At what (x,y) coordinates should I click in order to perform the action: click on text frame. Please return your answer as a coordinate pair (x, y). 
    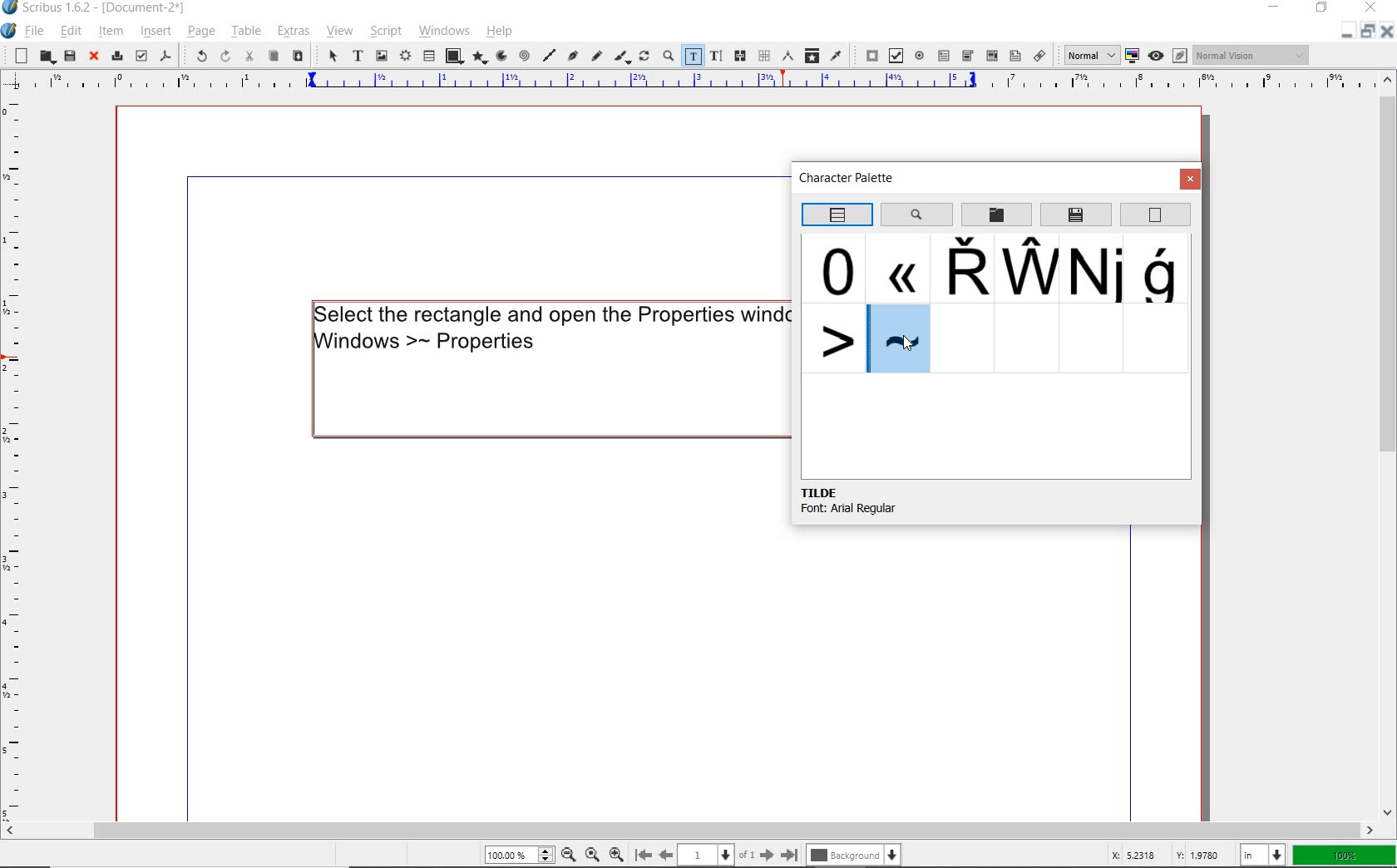
    Looking at the image, I should click on (358, 57).